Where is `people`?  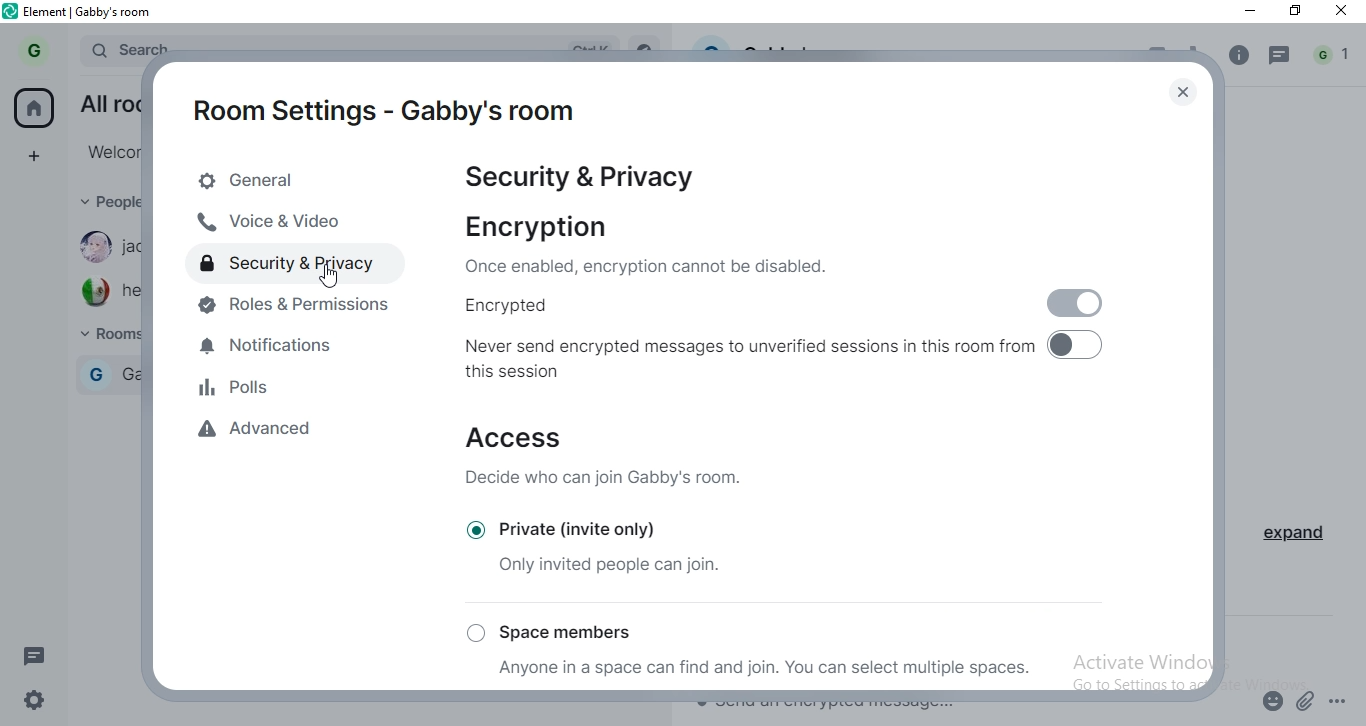 people is located at coordinates (106, 201).